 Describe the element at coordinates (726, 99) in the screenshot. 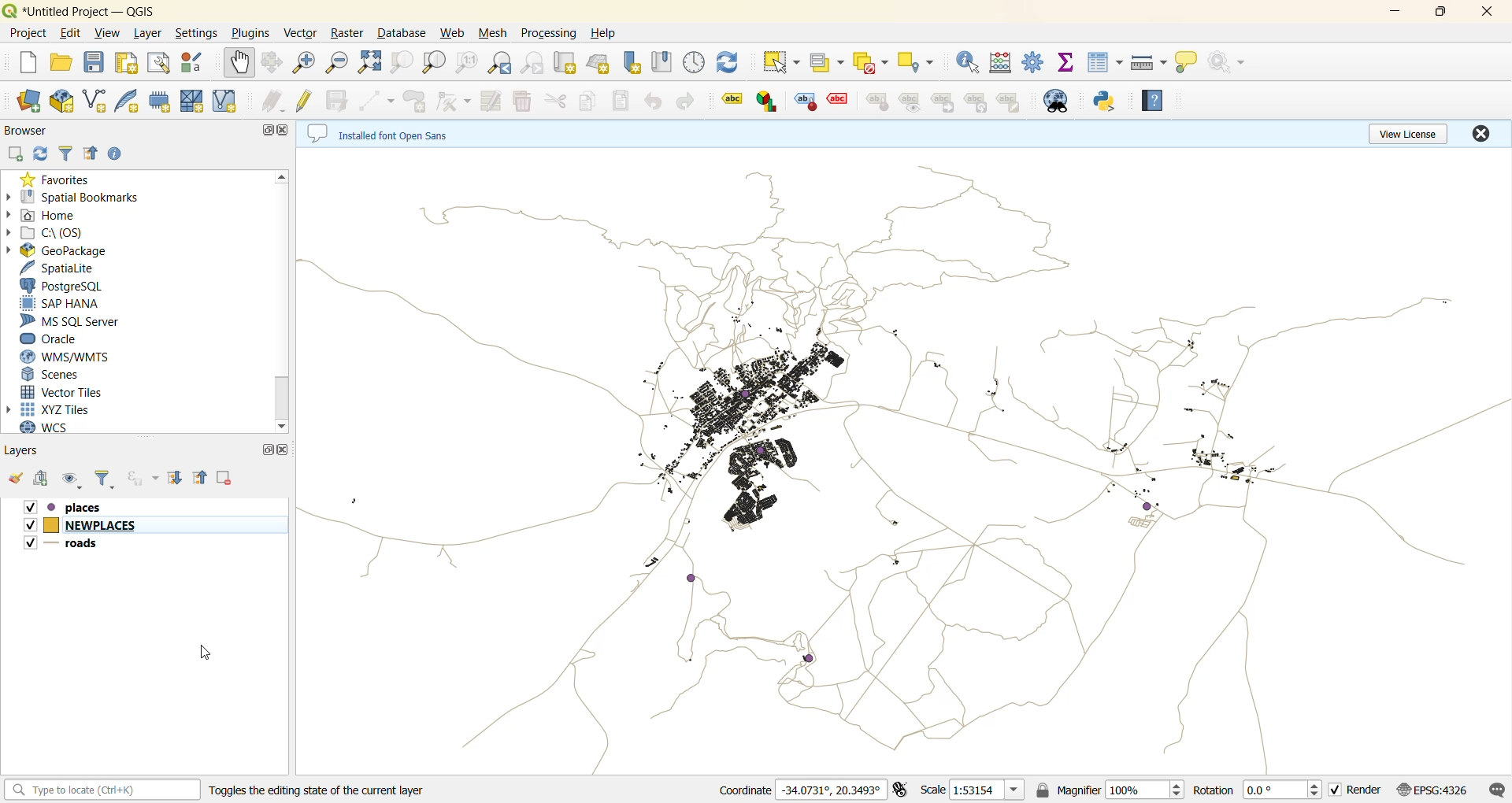

I see `label` at that location.